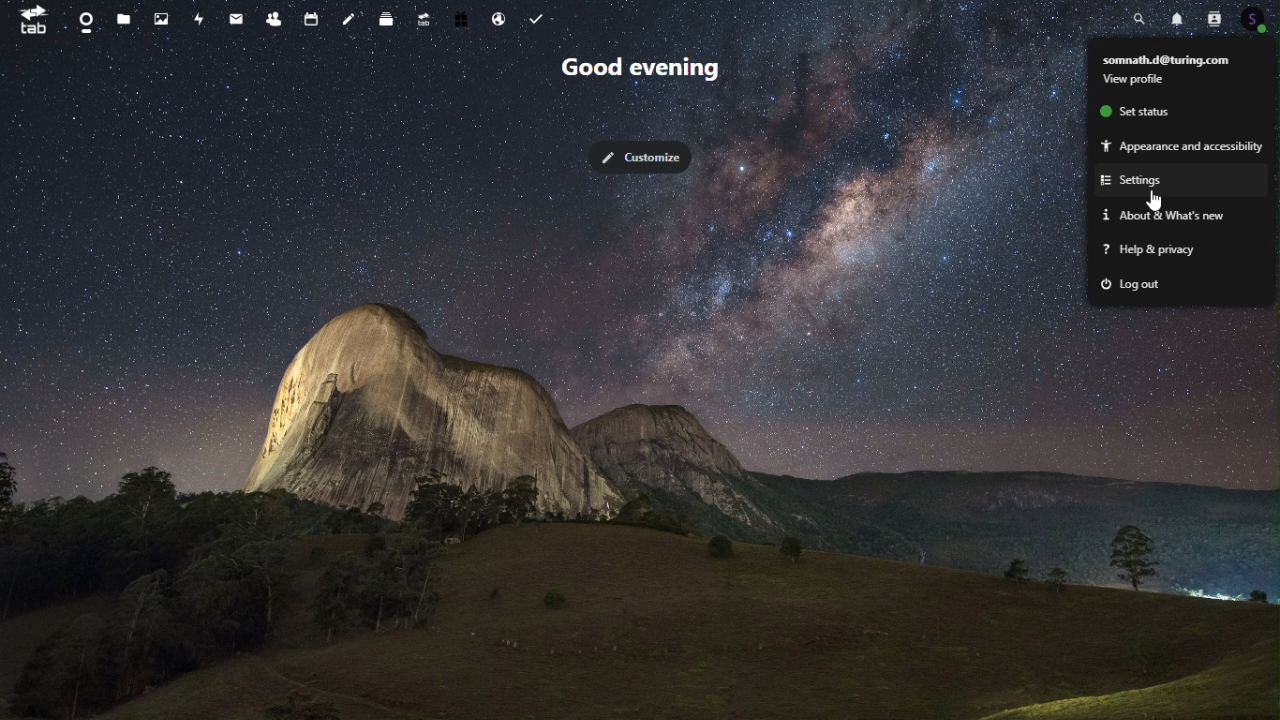 This screenshot has height=720, width=1280. I want to click on settings, so click(1149, 182).